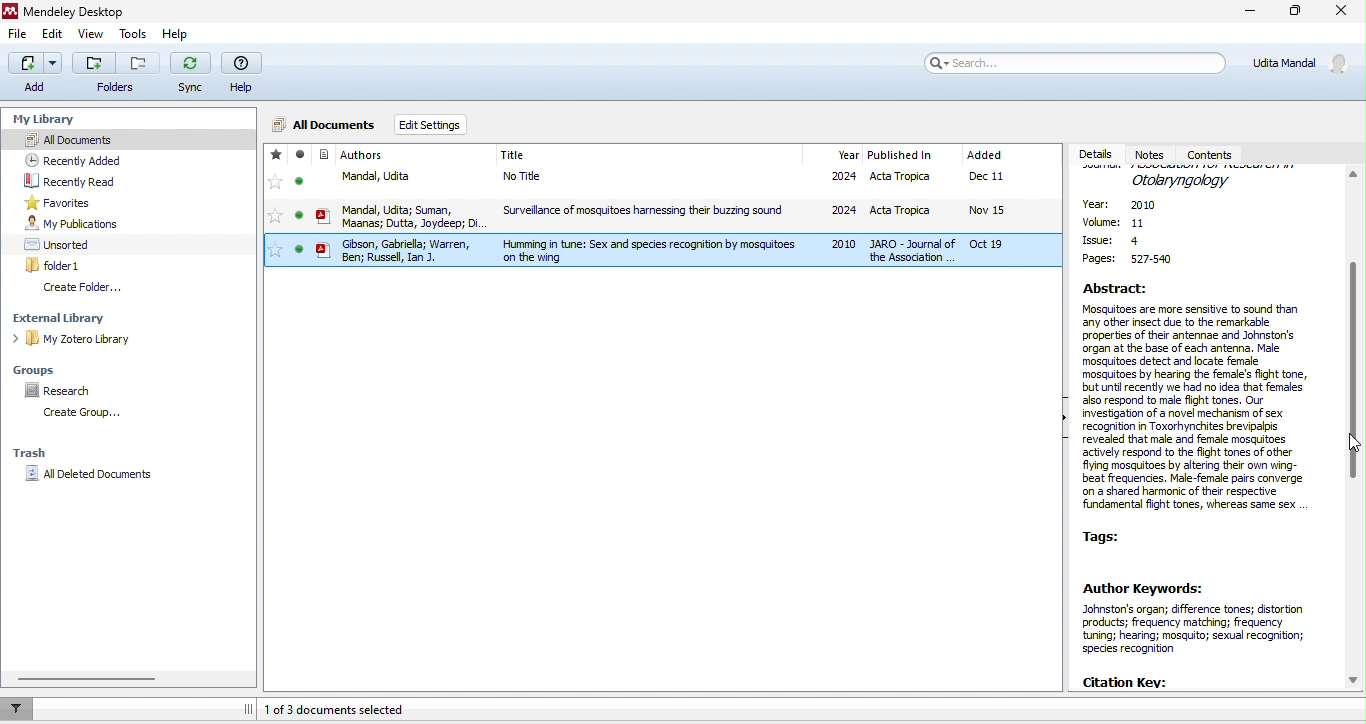 The image size is (1366, 724). What do you see at coordinates (76, 340) in the screenshot?
I see `my zotero library` at bounding box center [76, 340].